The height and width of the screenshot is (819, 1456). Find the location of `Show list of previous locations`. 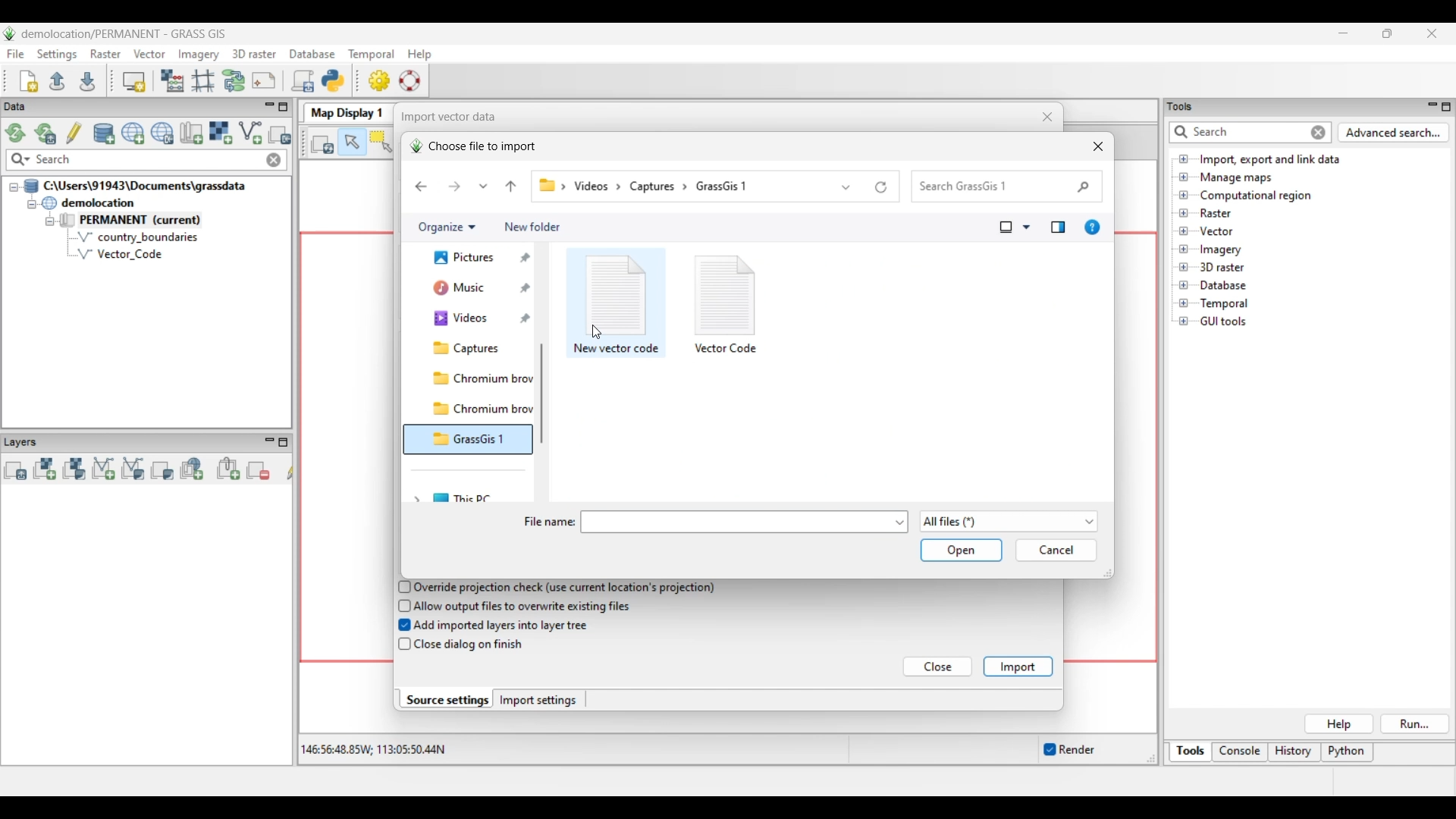

Show list of previous locations is located at coordinates (847, 187).